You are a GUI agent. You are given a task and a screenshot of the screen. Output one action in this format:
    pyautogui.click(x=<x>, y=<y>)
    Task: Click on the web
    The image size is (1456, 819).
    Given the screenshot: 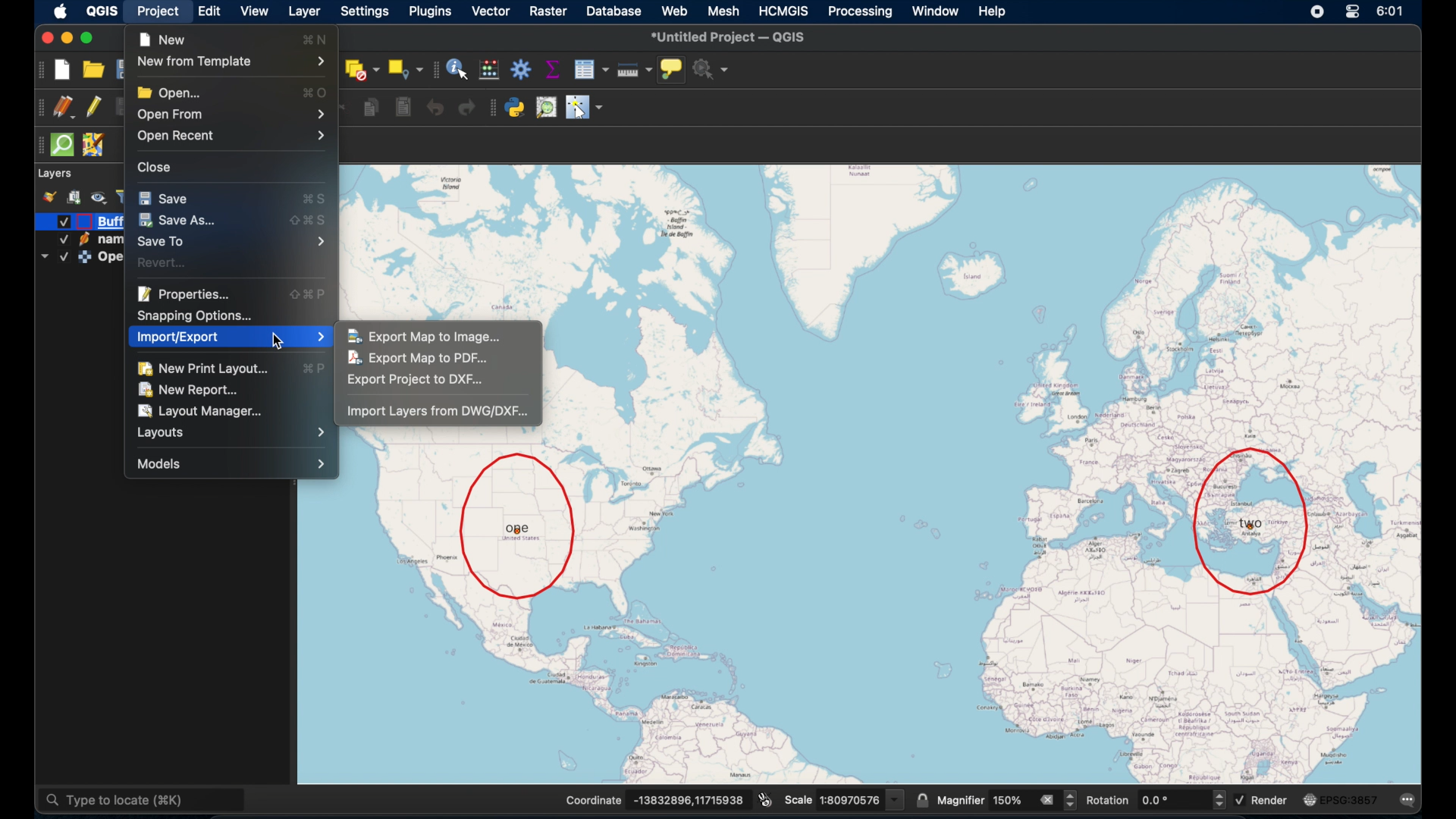 What is the action you would take?
    pyautogui.click(x=674, y=8)
    